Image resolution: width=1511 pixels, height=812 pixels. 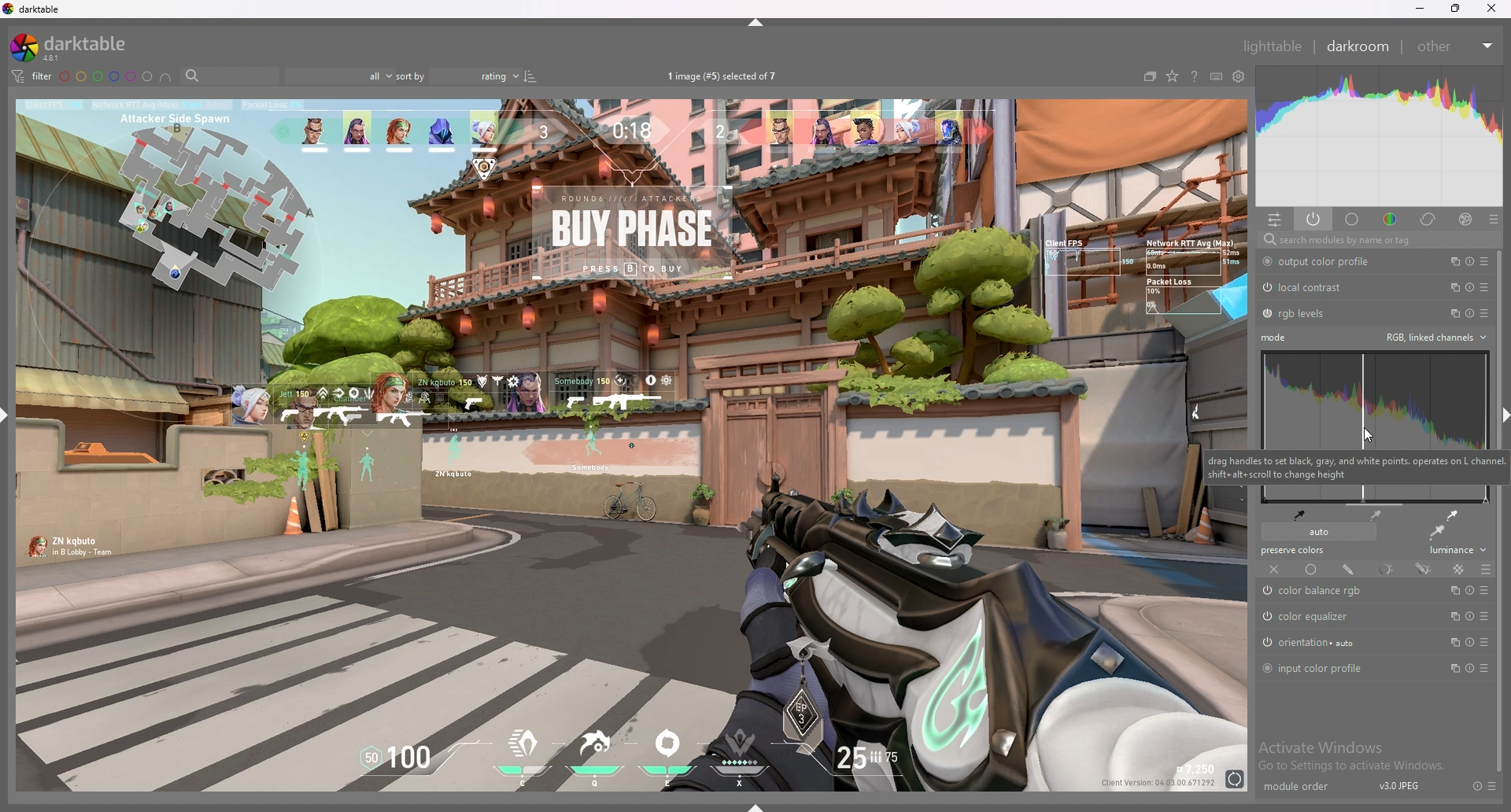 What do you see at coordinates (1276, 338) in the screenshot?
I see `mode` at bounding box center [1276, 338].